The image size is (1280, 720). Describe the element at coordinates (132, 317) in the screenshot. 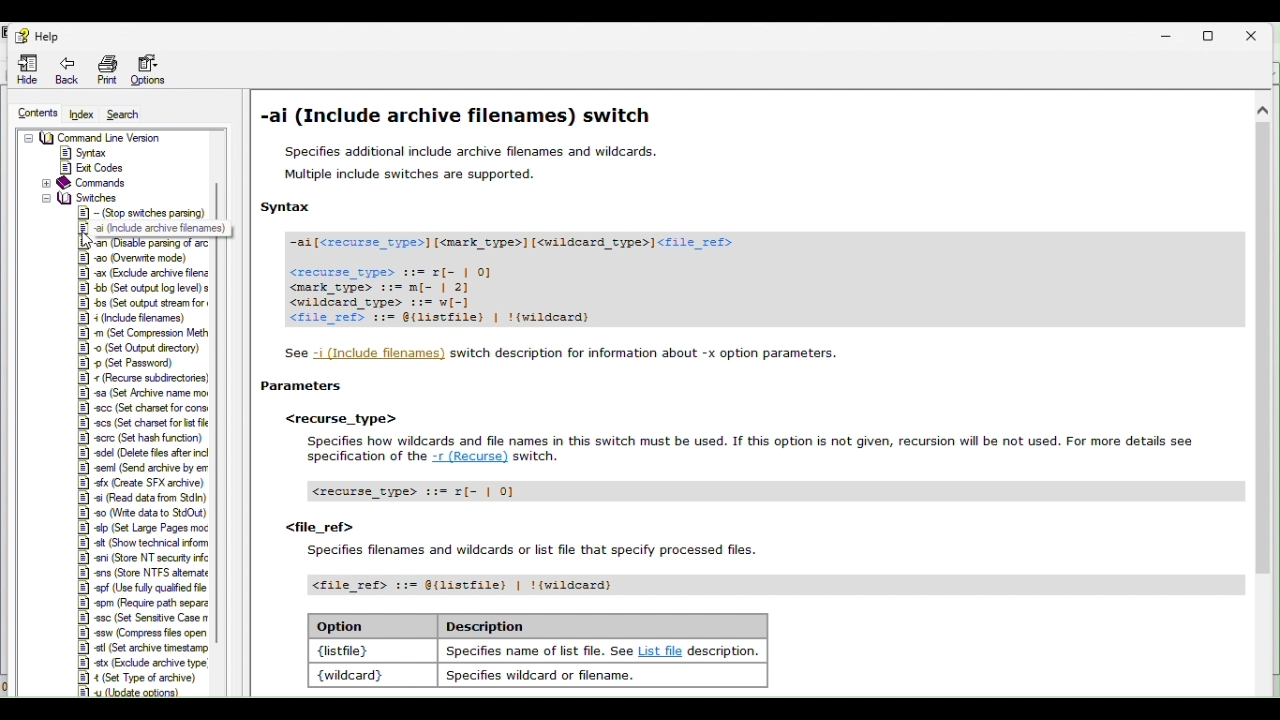

I see `Include filenames` at that location.